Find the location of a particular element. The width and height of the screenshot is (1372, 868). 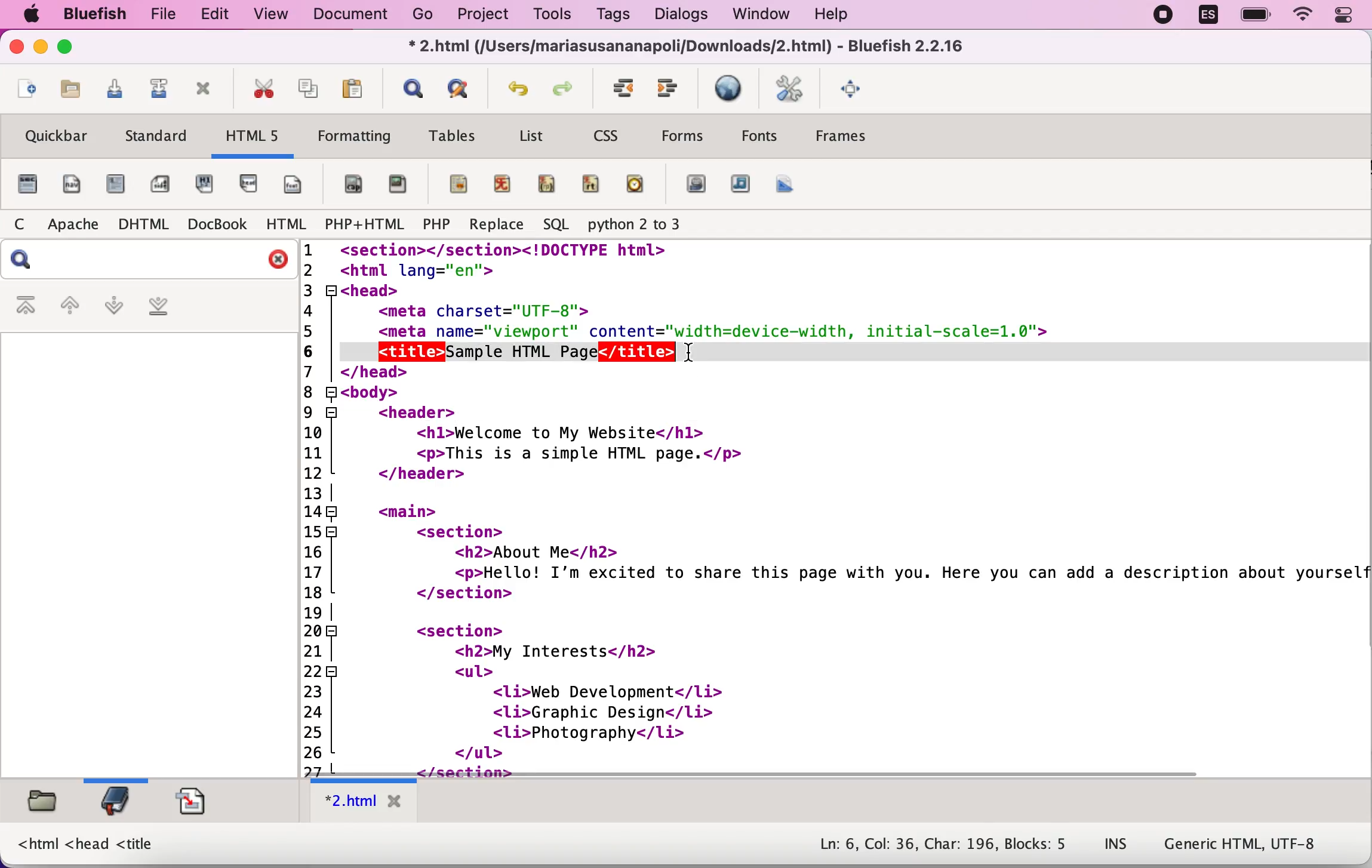

footer is located at coordinates (299, 183).